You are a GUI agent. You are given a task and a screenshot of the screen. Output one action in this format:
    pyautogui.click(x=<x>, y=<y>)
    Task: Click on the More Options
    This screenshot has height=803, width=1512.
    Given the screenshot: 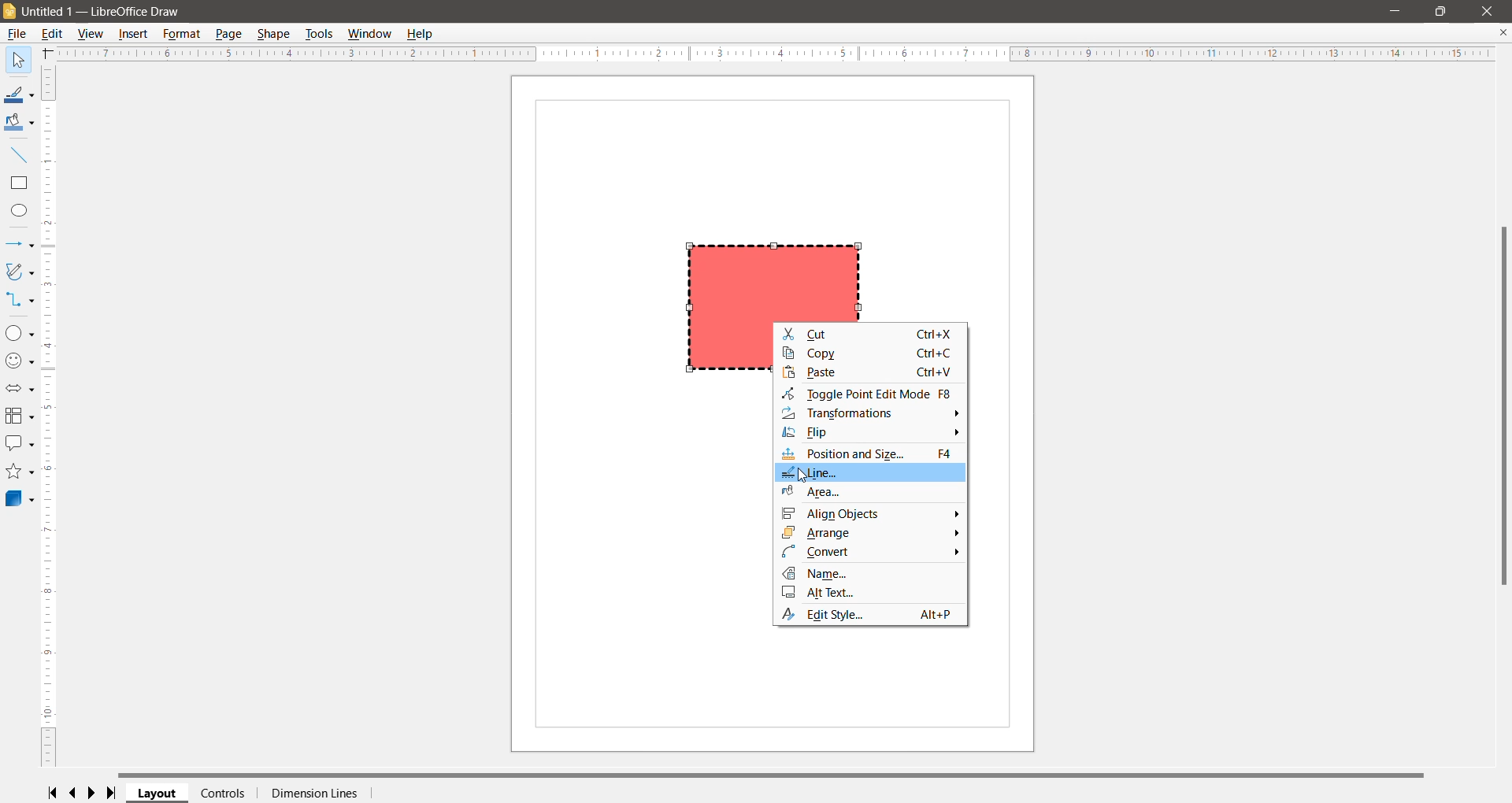 What is the action you would take?
    pyautogui.click(x=956, y=424)
    